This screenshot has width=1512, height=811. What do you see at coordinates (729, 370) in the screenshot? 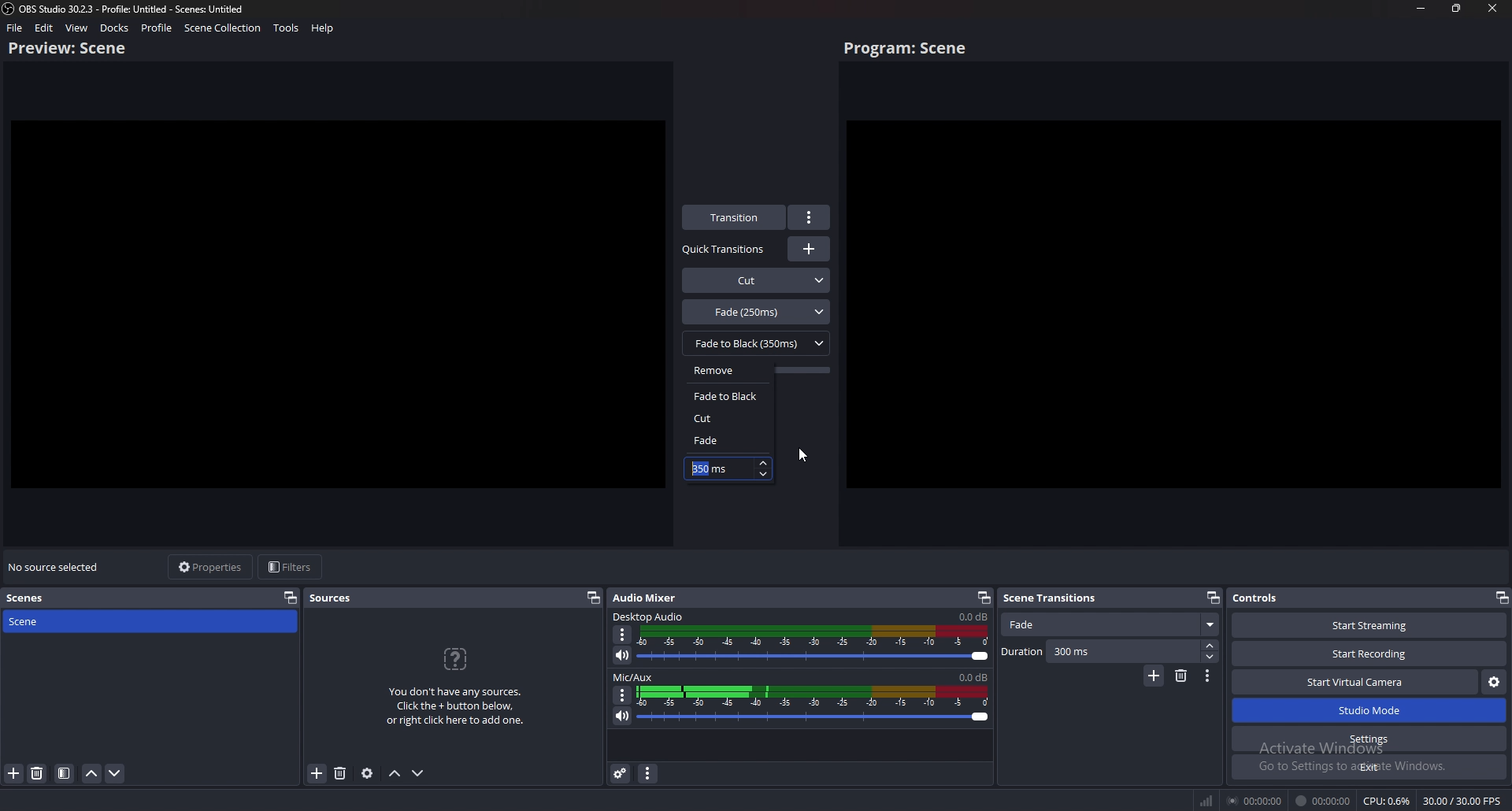
I see `remove` at bounding box center [729, 370].